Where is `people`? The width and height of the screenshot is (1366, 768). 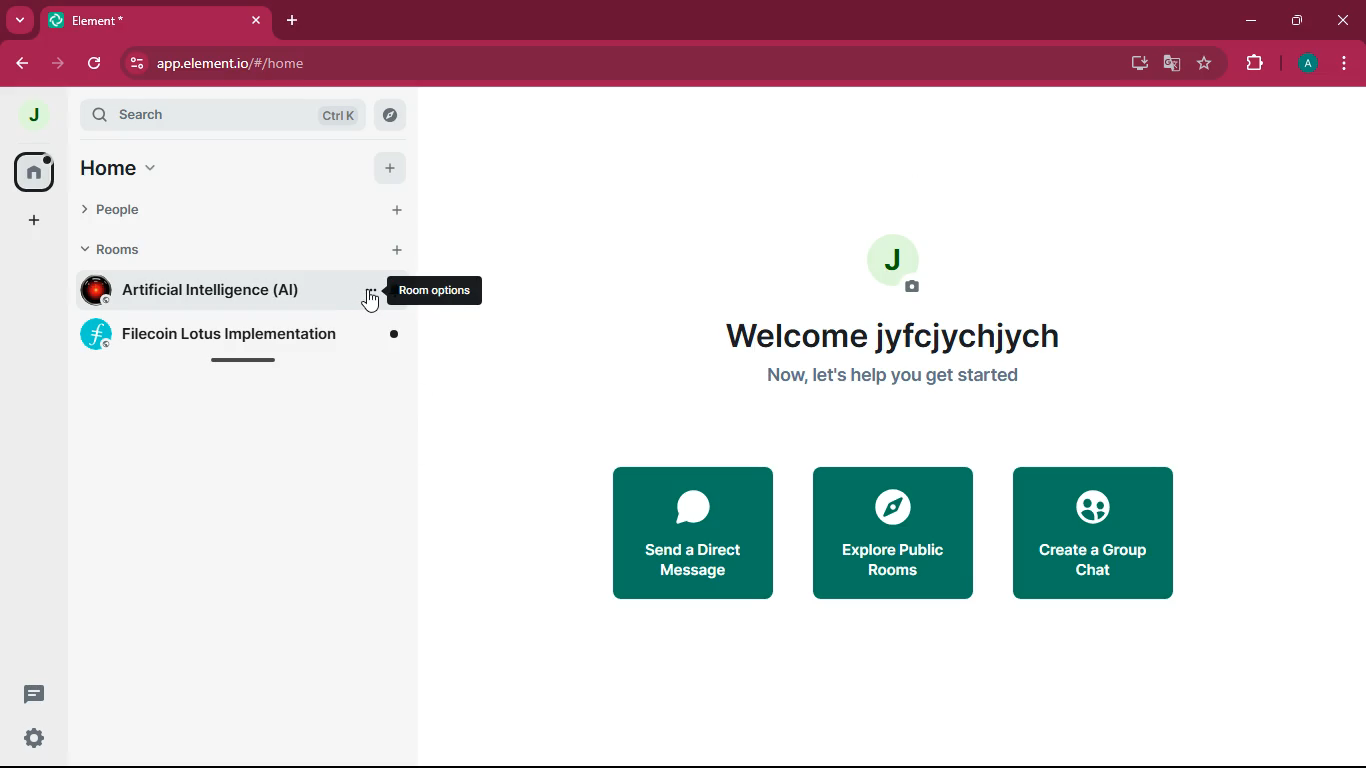
people is located at coordinates (122, 213).